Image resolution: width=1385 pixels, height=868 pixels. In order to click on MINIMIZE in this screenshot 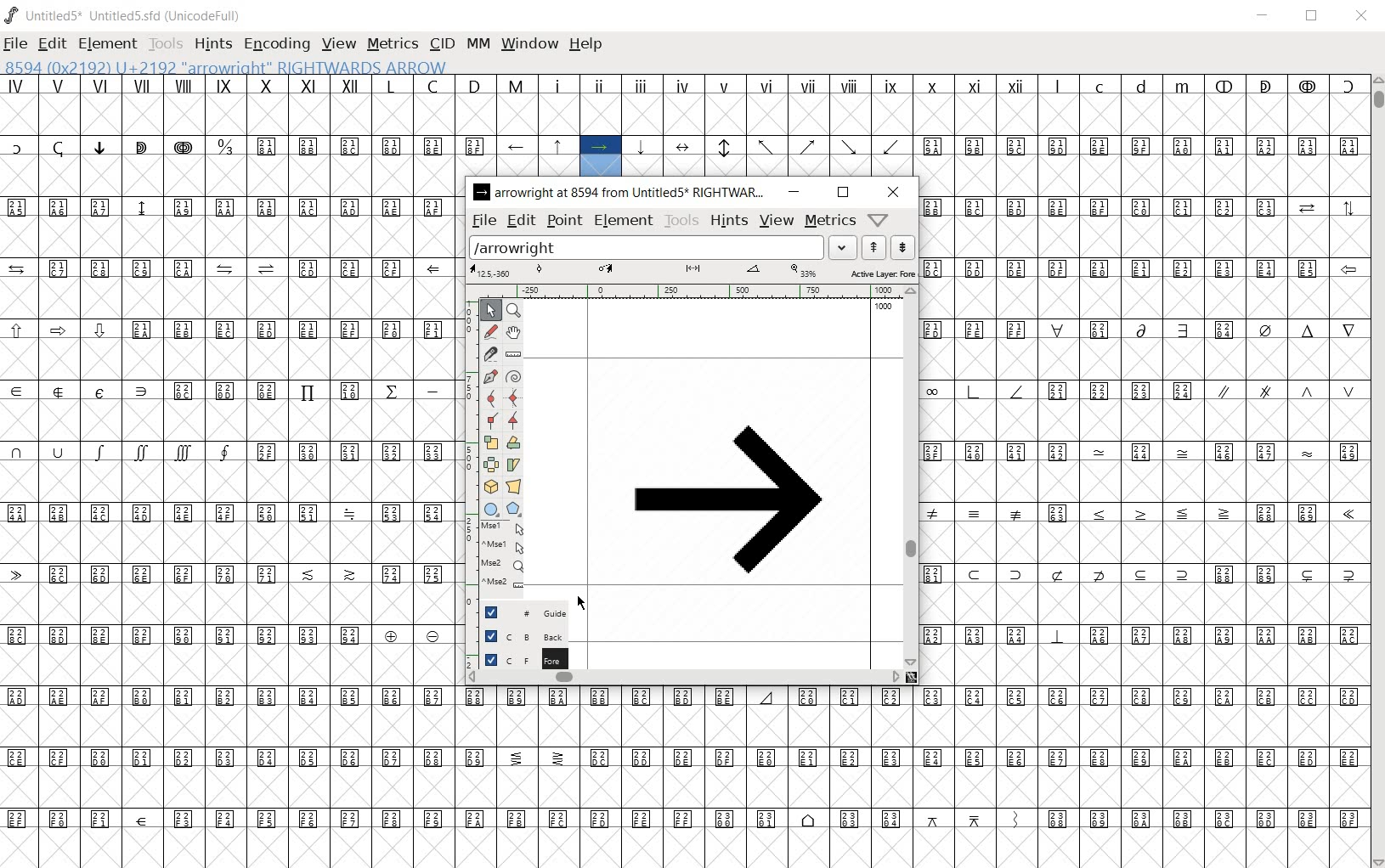, I will do `click(1264, 15)`.